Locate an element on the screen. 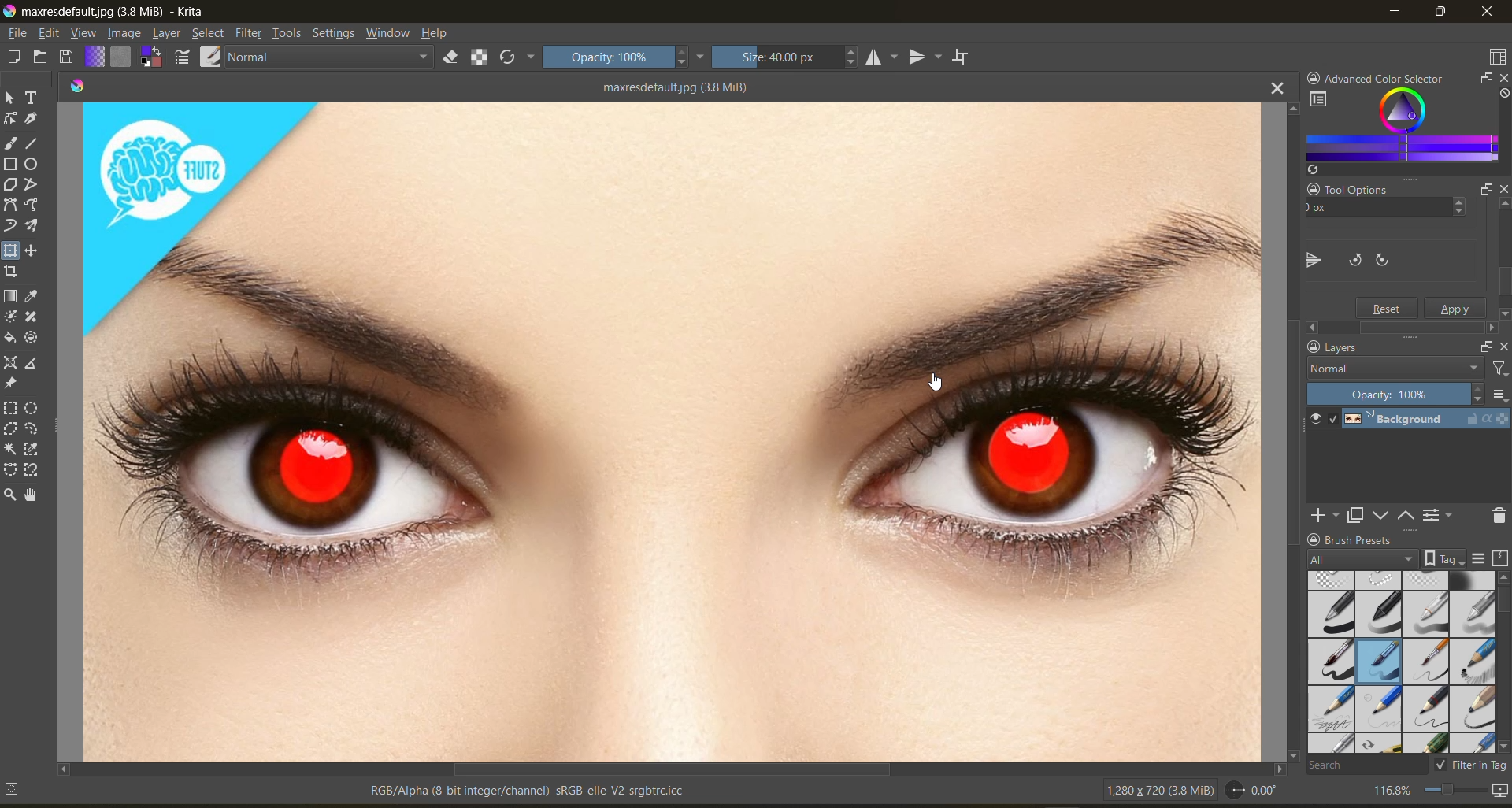 The height and width of the screenshot is (808, 1512). tool is located at coordinates (9, 496).